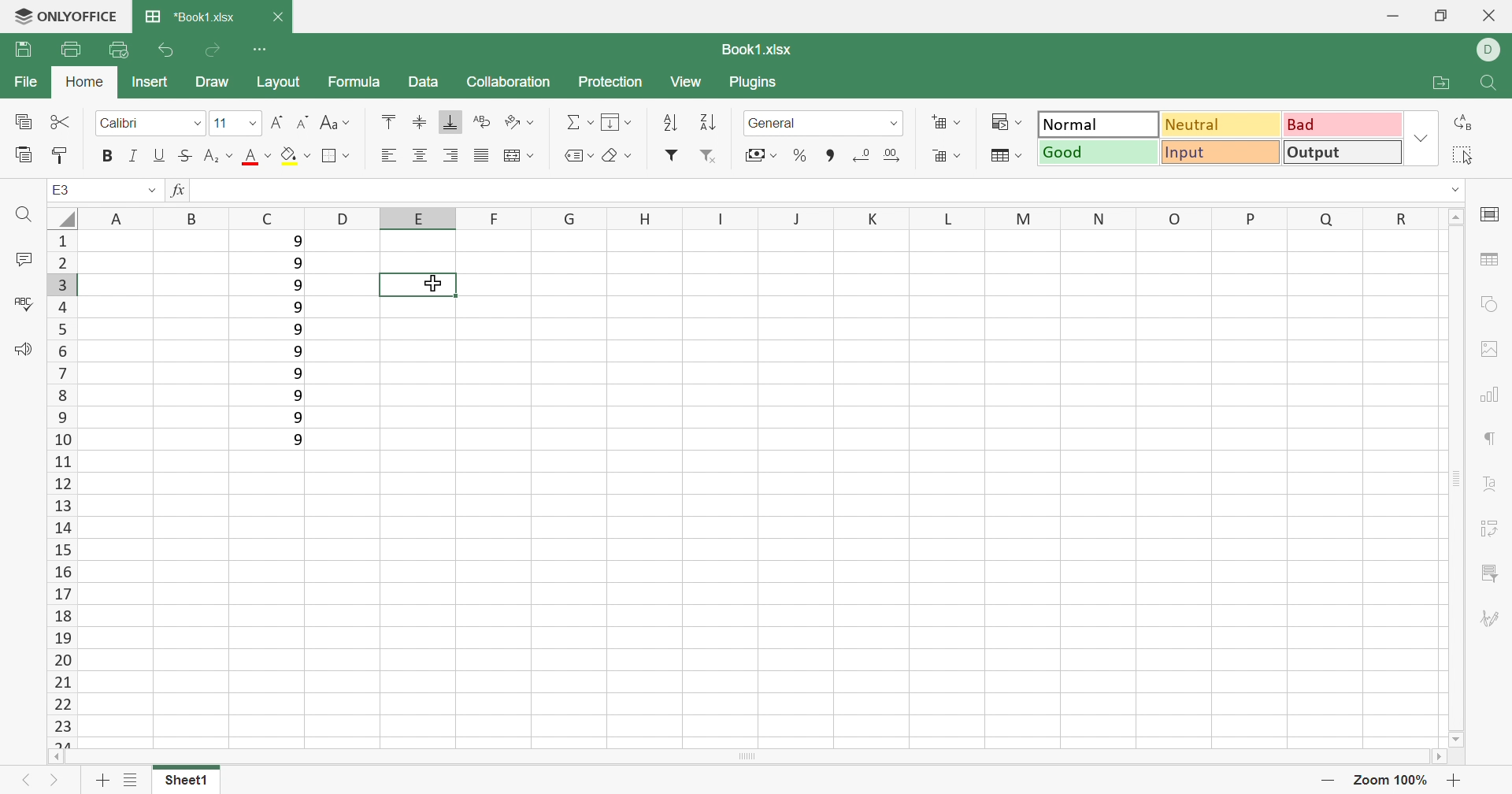 The image size is (1512, 794). I want to click on Decrease decimals, so click(862, 154).